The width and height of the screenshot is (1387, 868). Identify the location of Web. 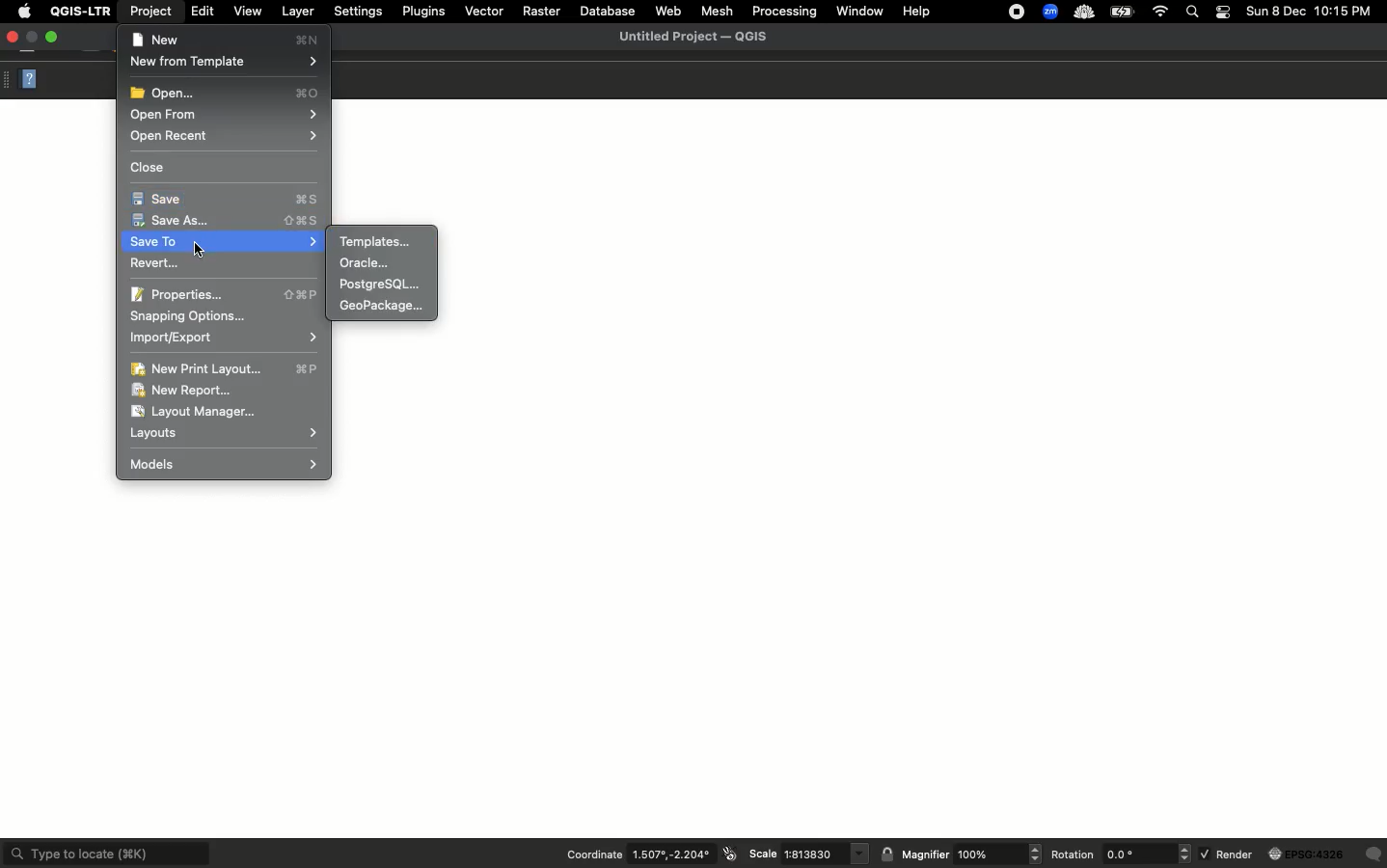
(669, 10).